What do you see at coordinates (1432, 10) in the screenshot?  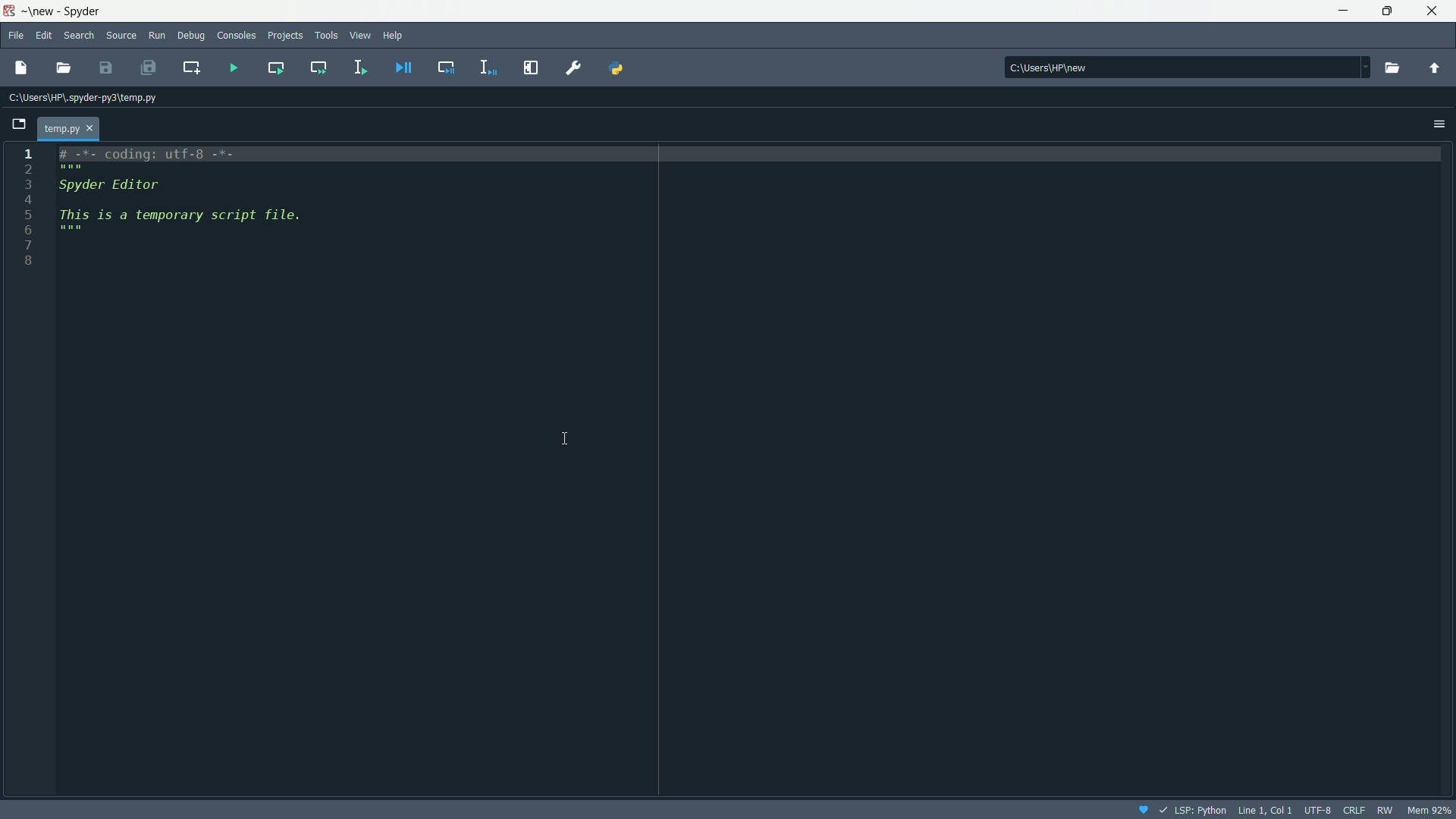 I see `close ` at bounding box center [1432, 10].